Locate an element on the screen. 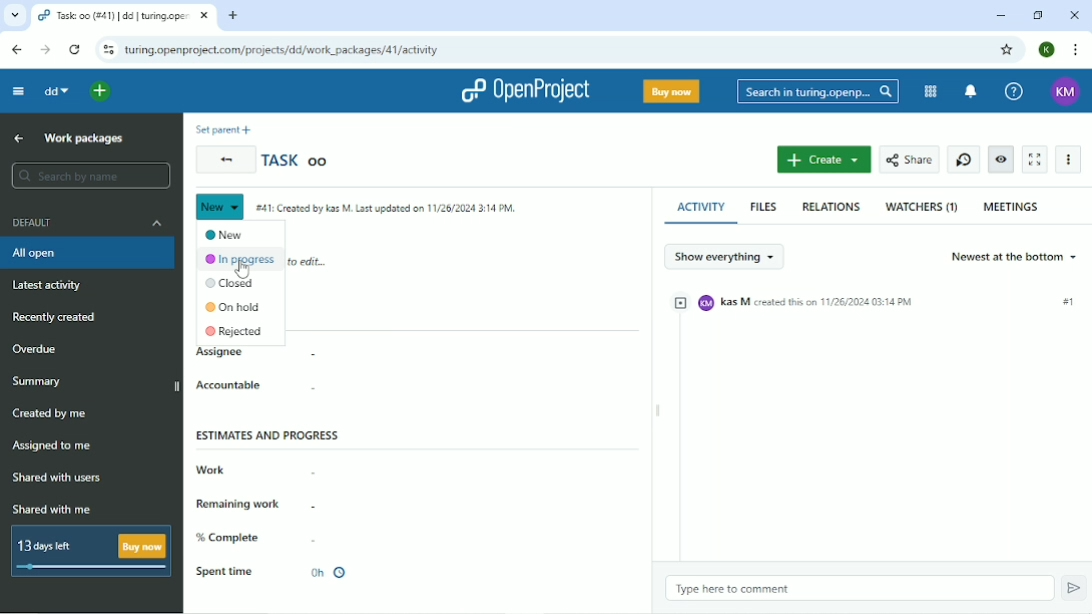  Work packages is located at coordinates (84, 139).